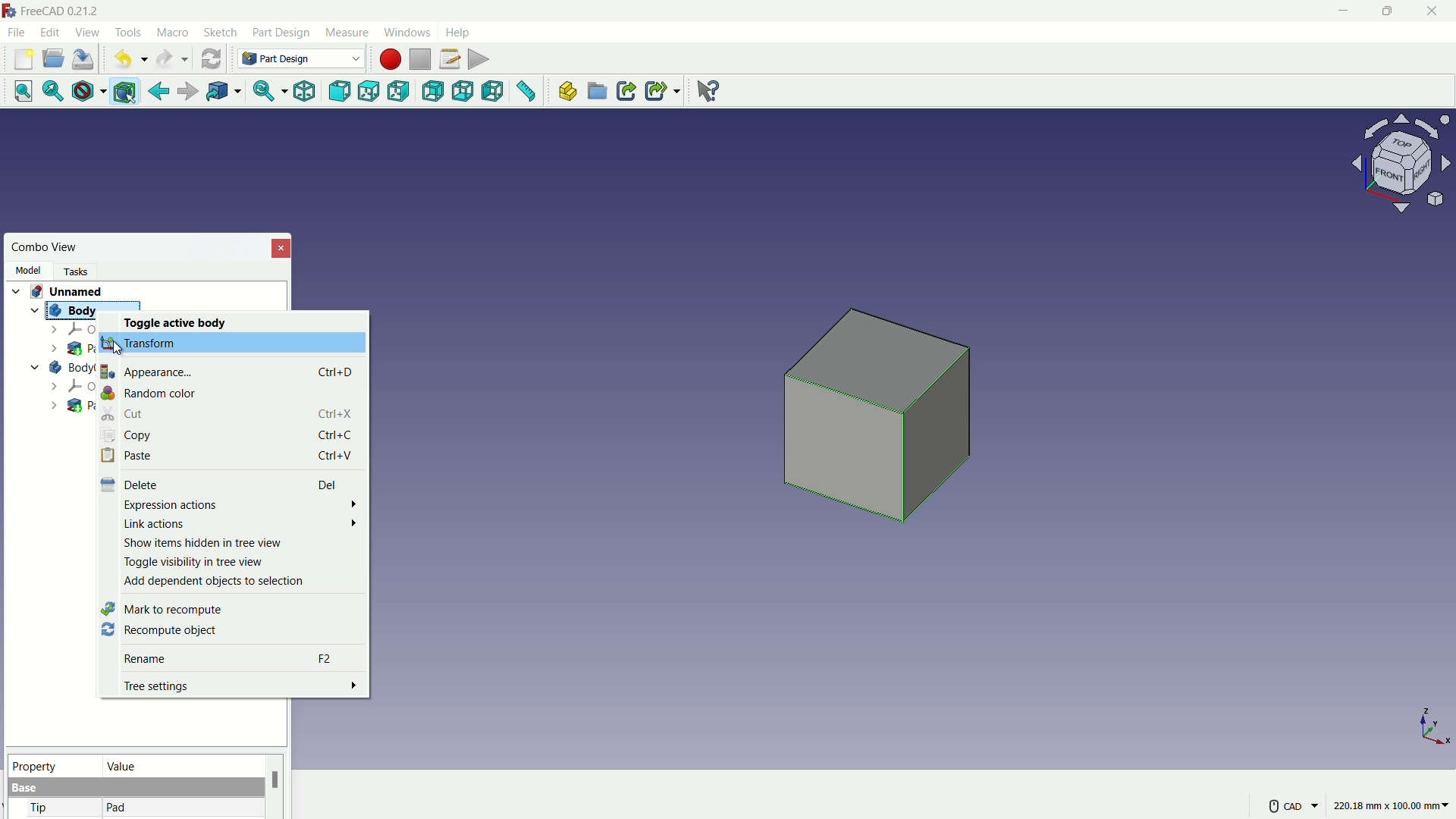  I want to click on execute macros, so click(480, 58).